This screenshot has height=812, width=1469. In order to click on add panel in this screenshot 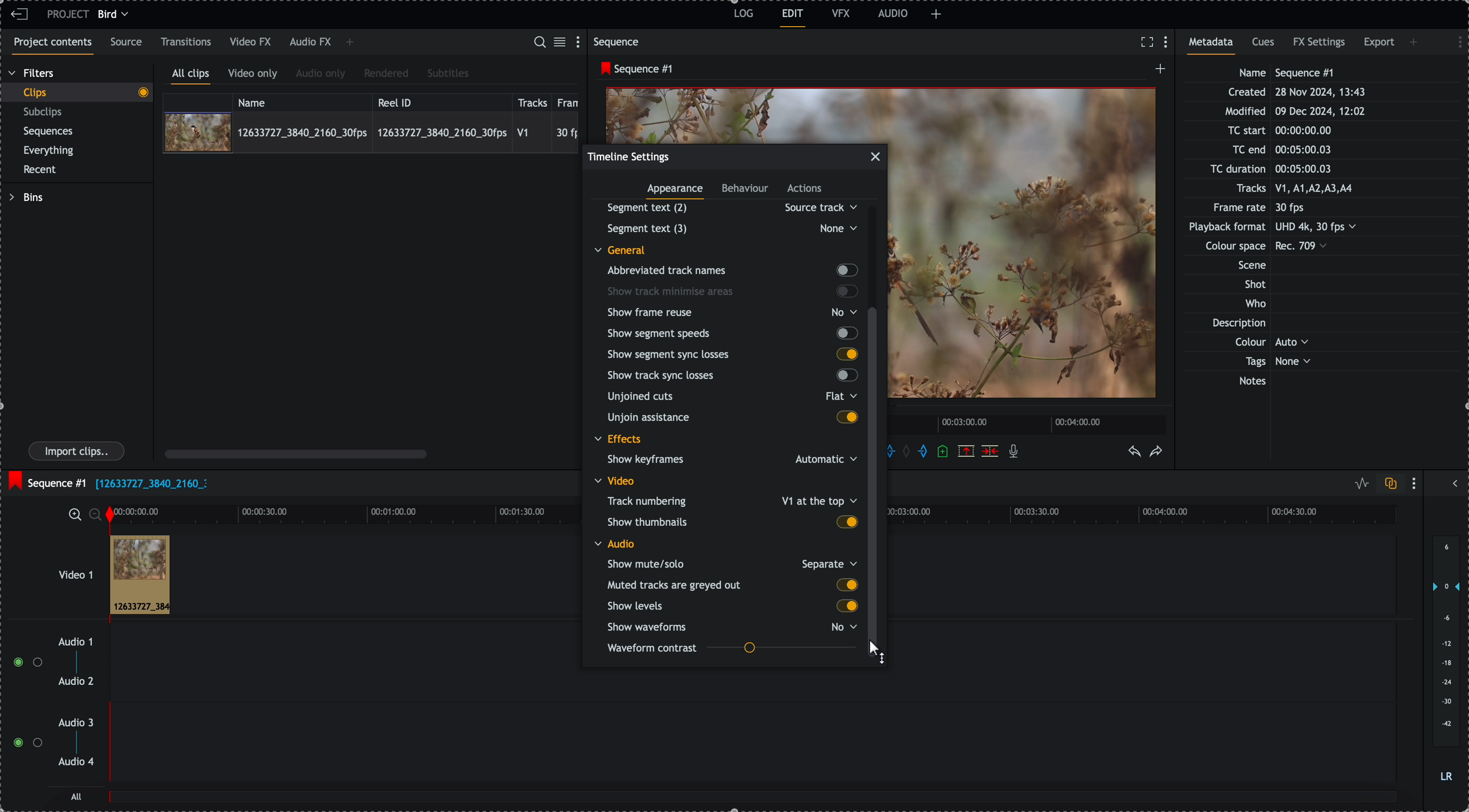, I will do `click(350, 43)`.